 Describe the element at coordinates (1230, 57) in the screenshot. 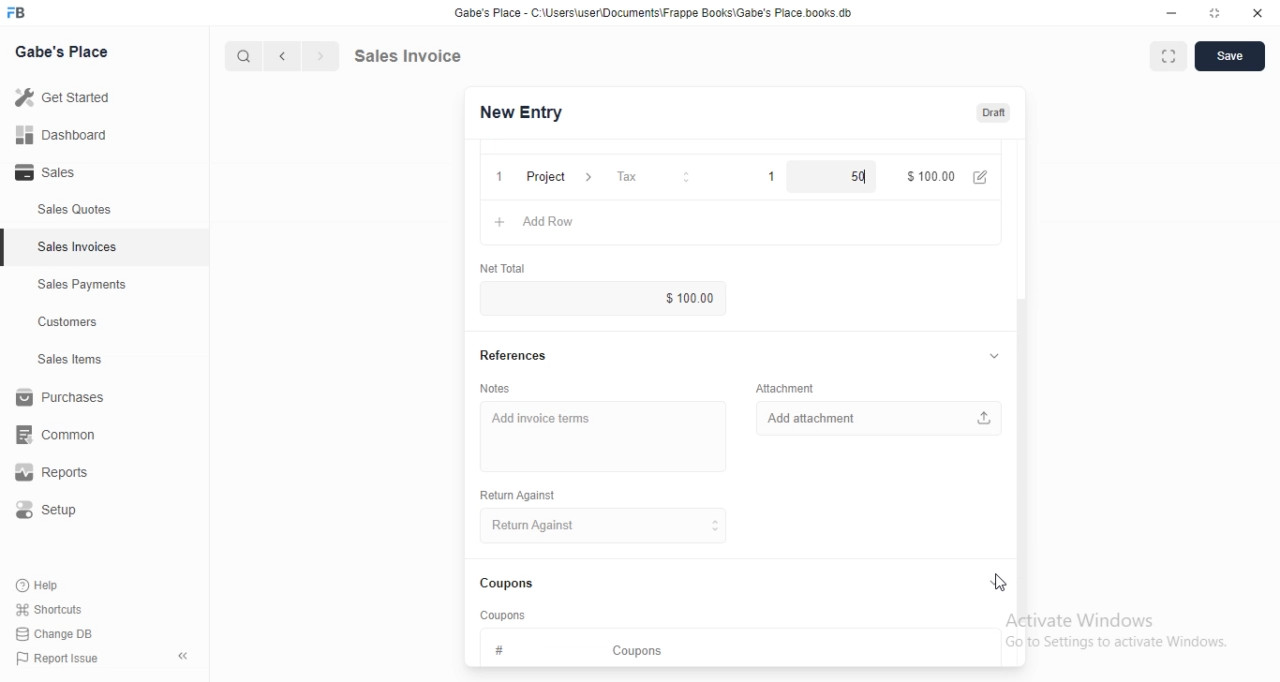

I see `Save` at that location.